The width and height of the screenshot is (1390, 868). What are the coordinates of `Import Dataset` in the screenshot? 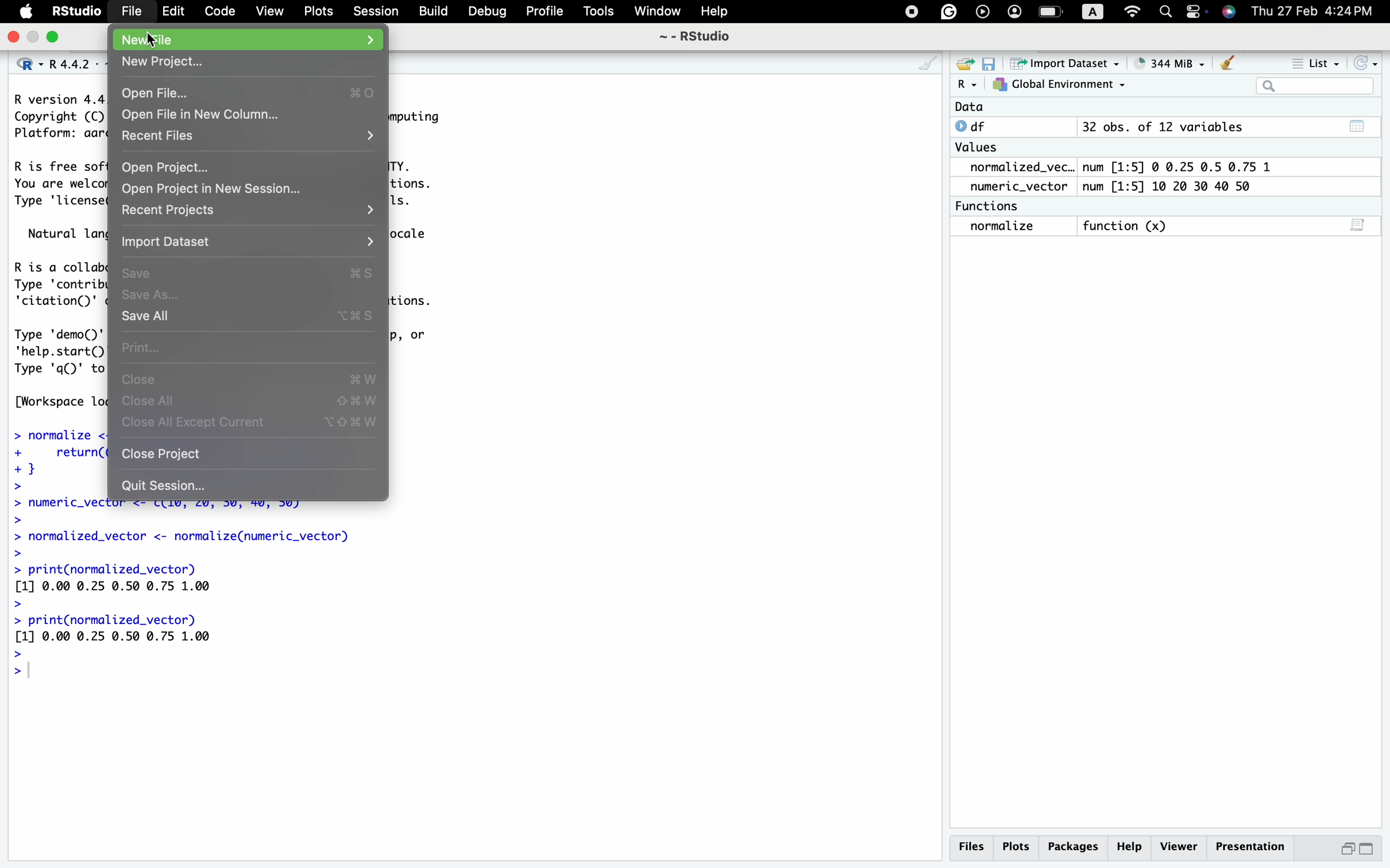 It's located at (164, 242).